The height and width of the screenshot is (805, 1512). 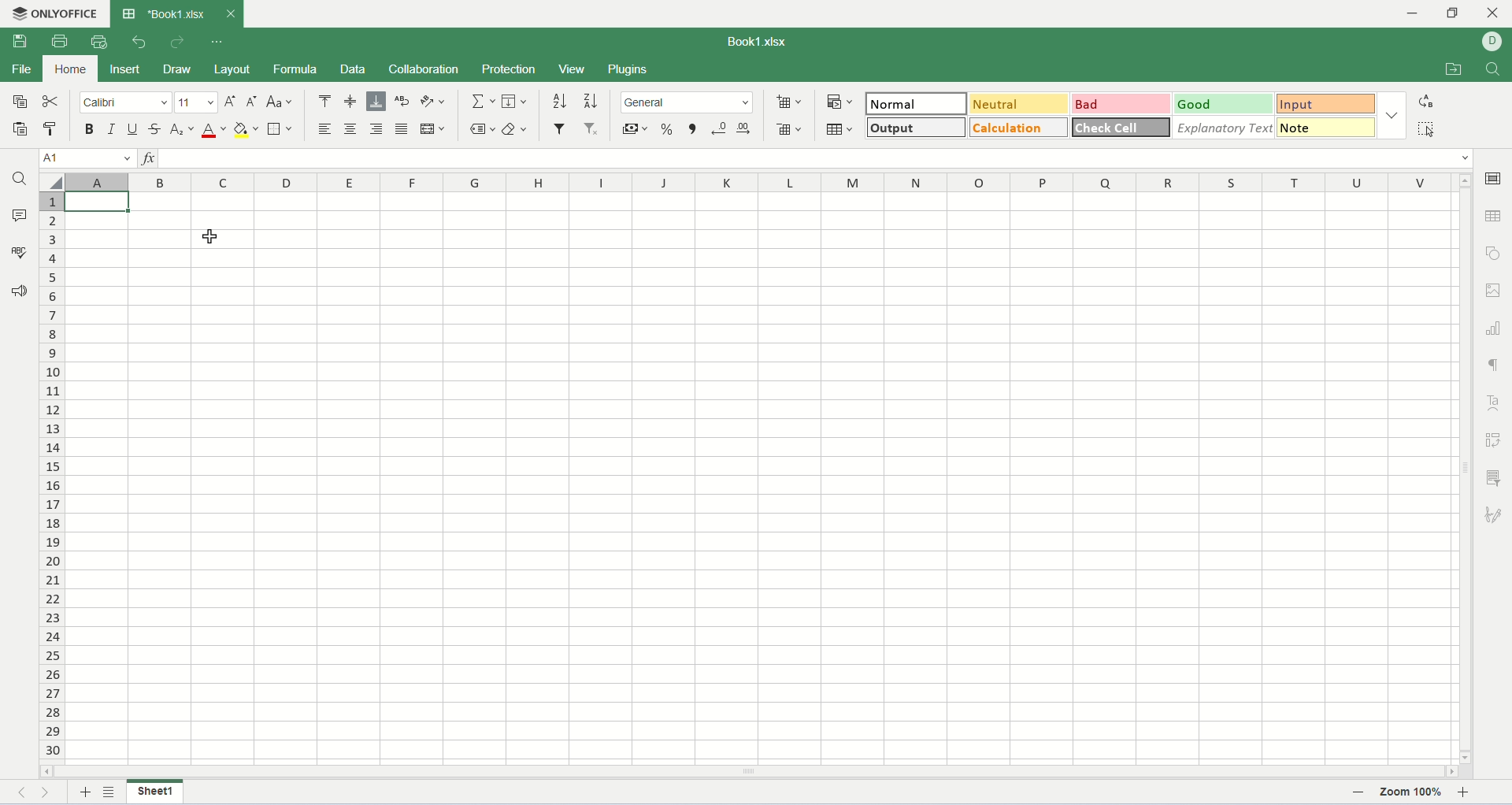 I want to click on image settings, so click(x=1496, y=294).